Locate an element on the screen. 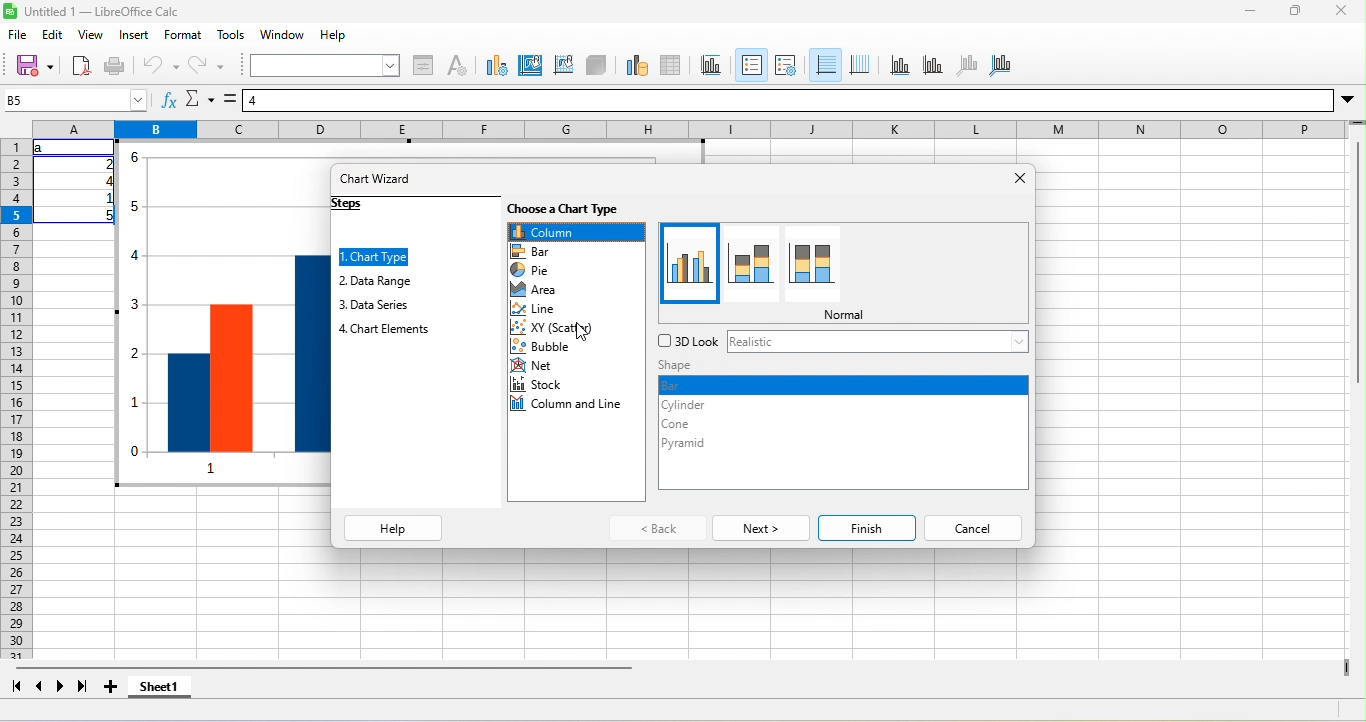 The width and height of the screenshot is (1366, 722). title is located at coordinates (712, 67).